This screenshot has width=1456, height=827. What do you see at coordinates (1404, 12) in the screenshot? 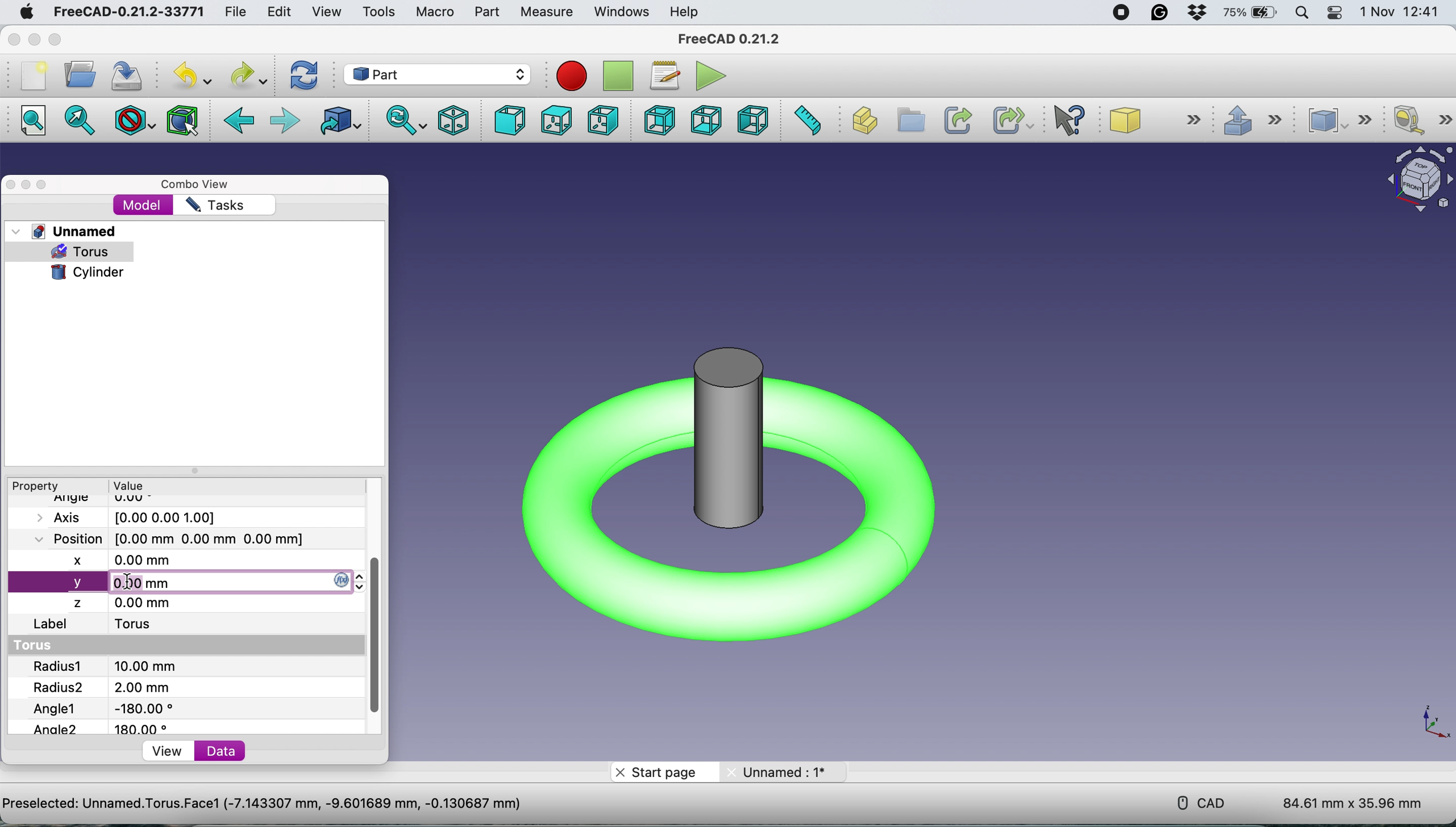
I see `date and time` at bounding box center [1404, 12].